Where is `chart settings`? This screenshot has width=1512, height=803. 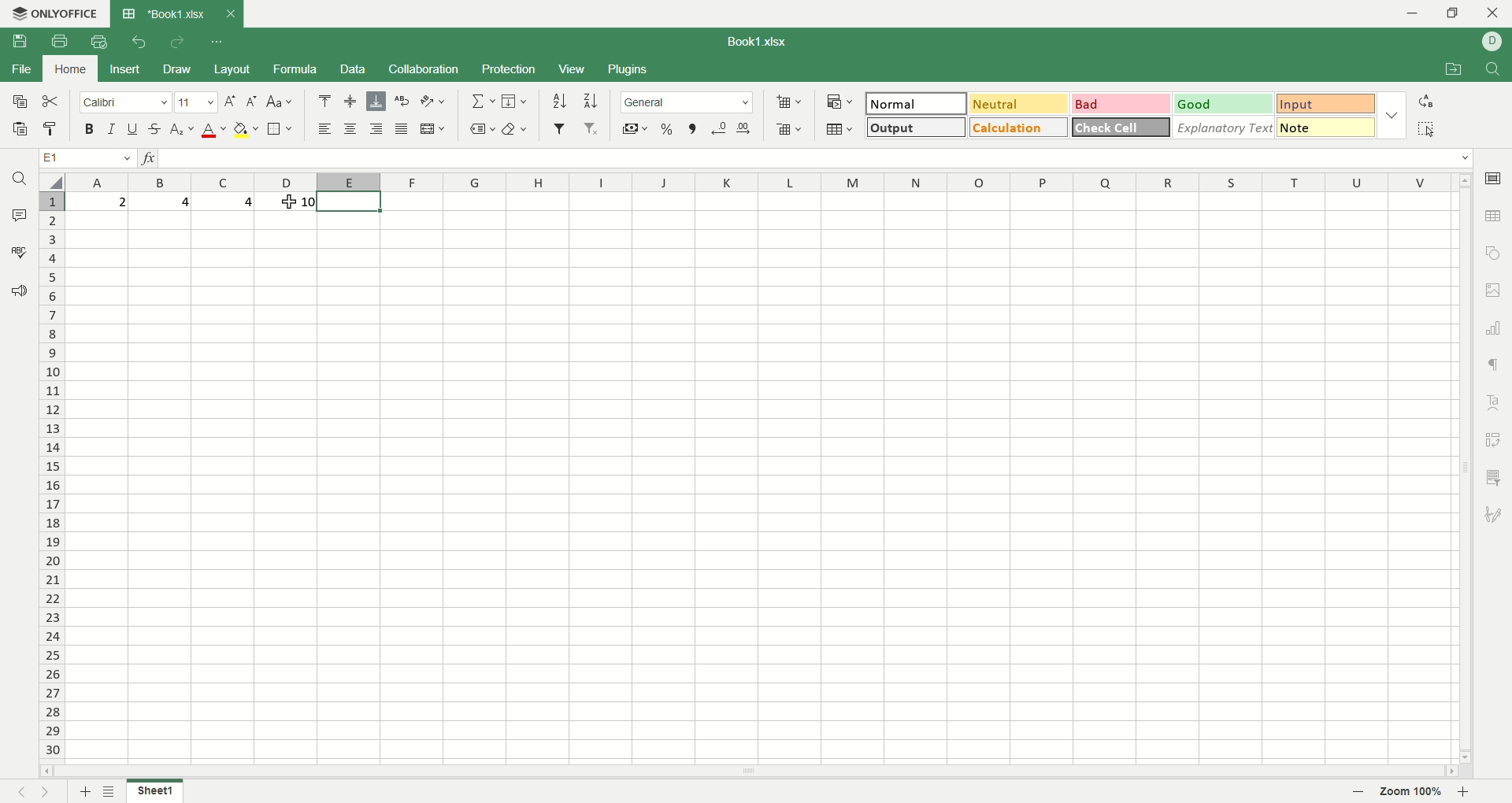
chart settings is located at coordinates (1494, 328).